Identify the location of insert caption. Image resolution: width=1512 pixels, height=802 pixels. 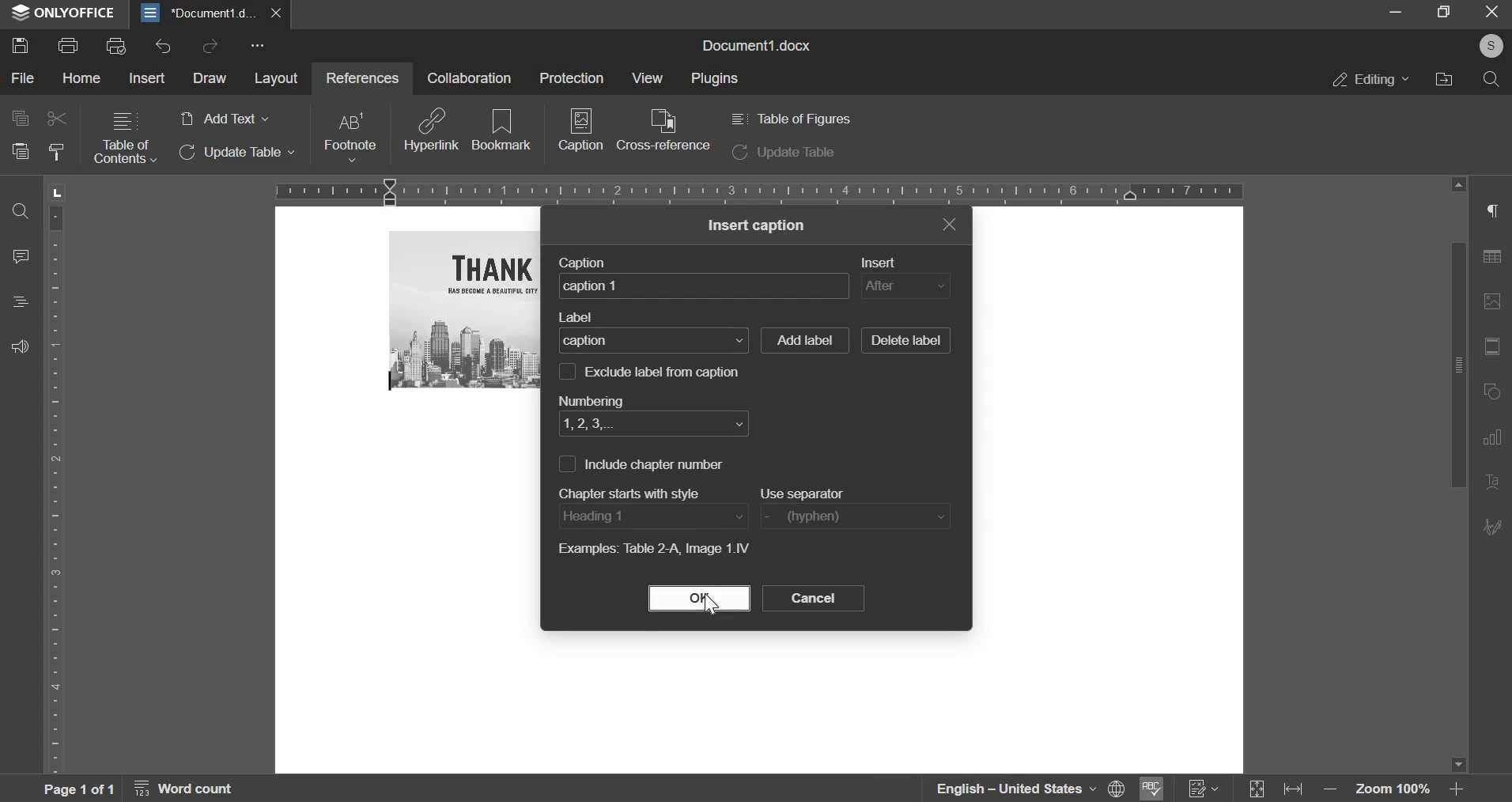
(758, 225).